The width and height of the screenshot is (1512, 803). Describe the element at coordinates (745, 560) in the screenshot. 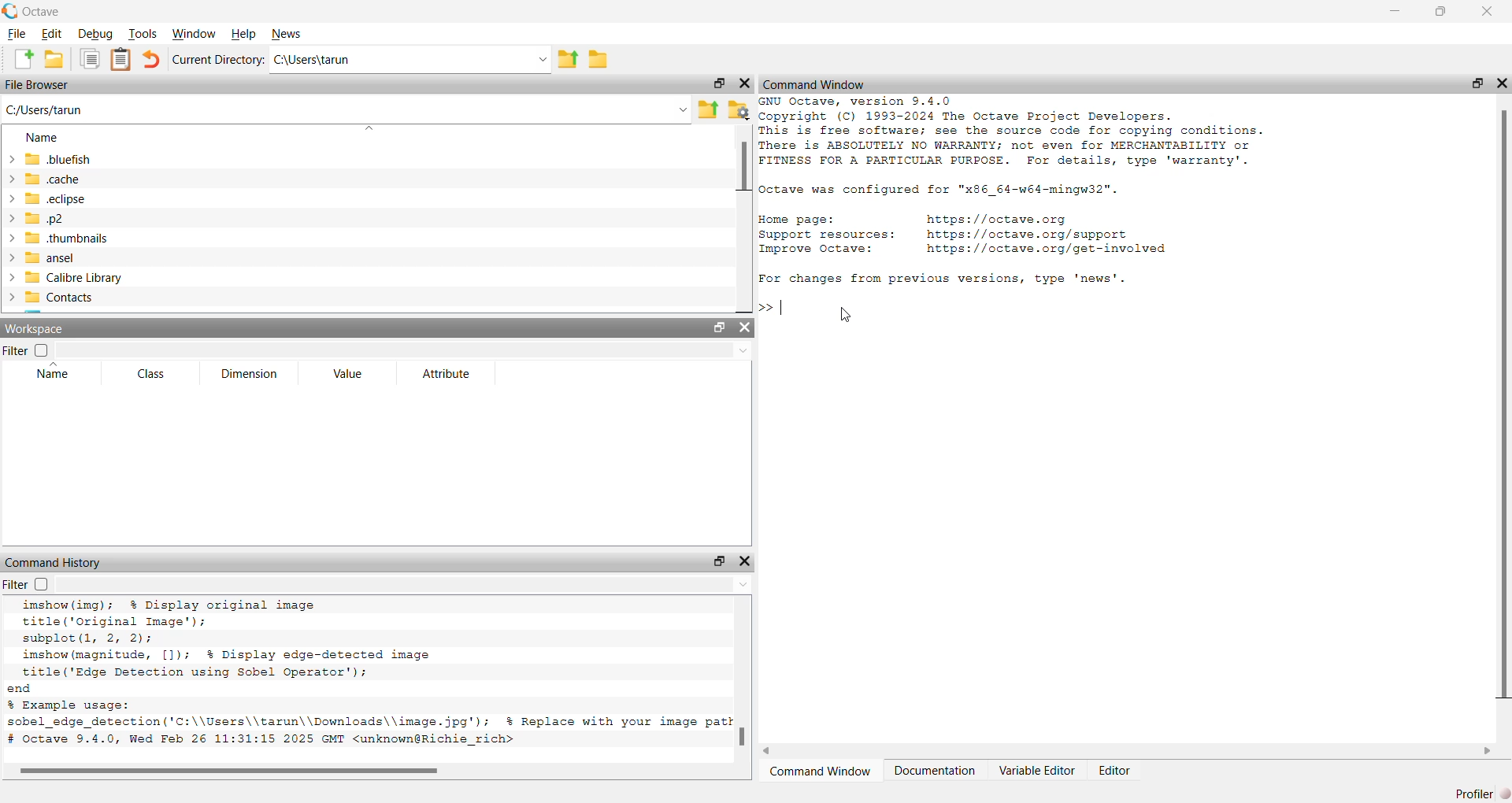

I see `close` at that location.